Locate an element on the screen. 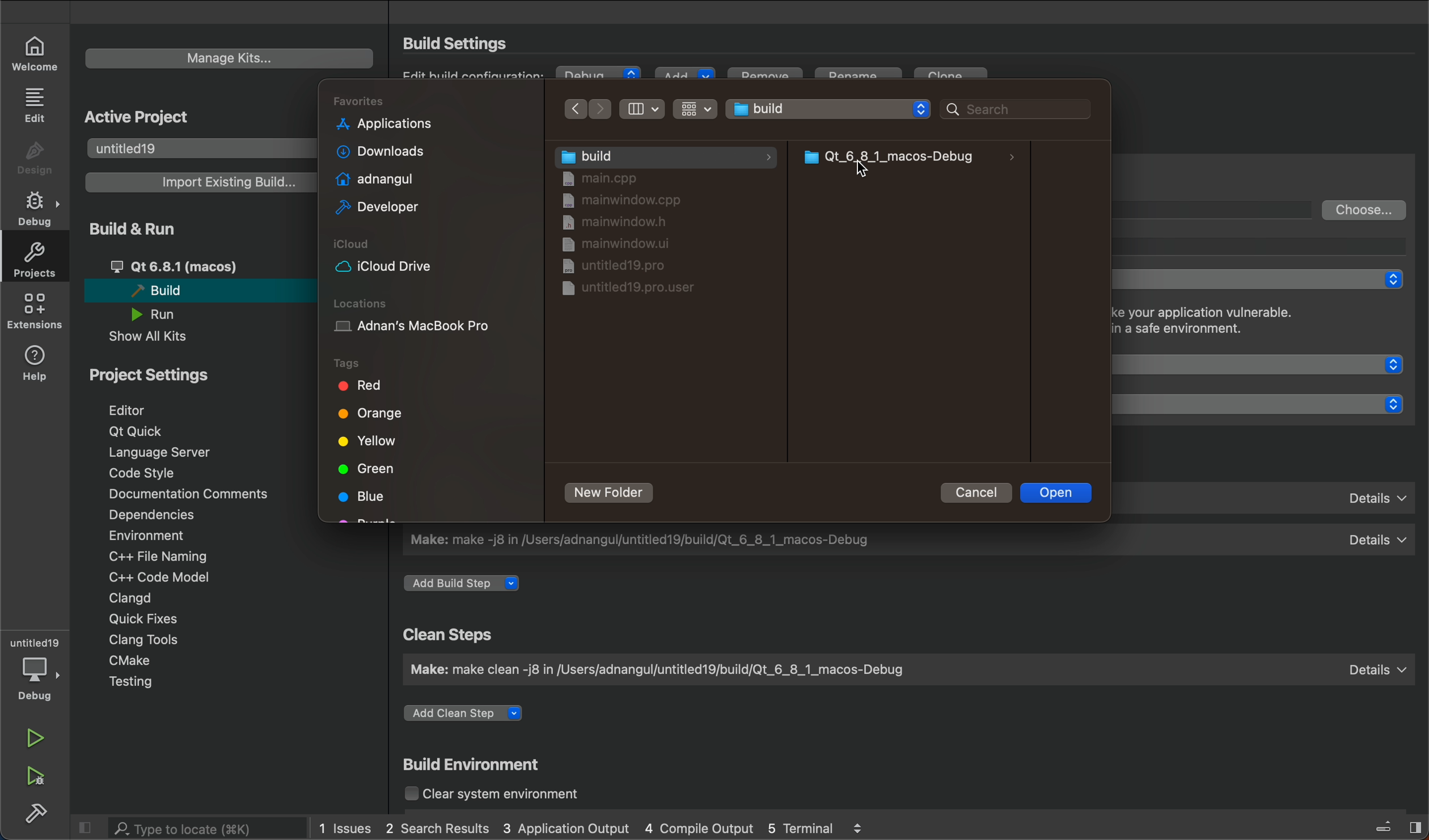 The height and width of the screenshot is (840, 1429). debug is located at coordinates (39, 209).